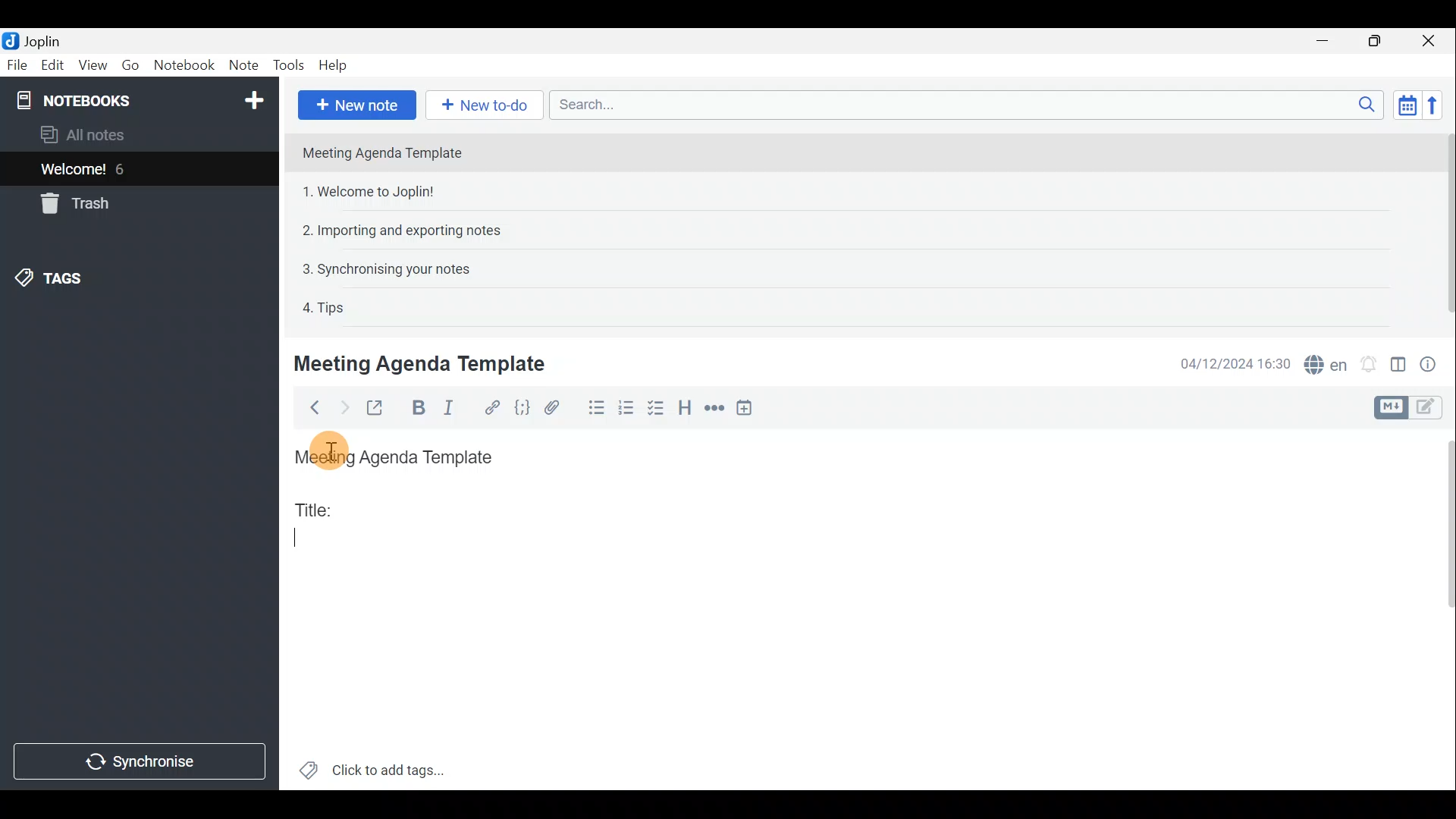  Describe the element at coordinates (1429, 42) in the screenshot. I see `Close` at that location.